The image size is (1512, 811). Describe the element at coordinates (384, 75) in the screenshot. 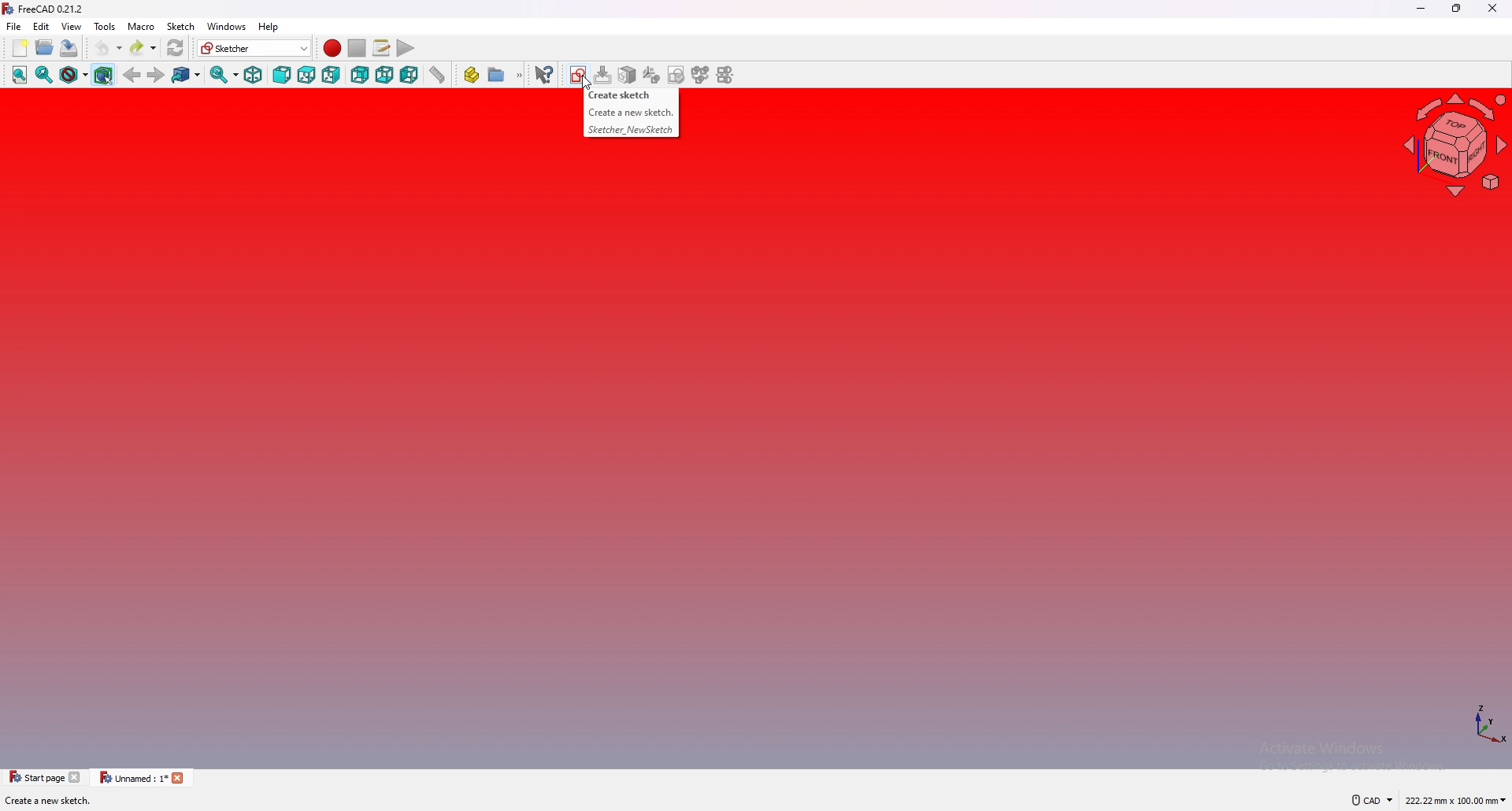

I see `bottom` at that location.